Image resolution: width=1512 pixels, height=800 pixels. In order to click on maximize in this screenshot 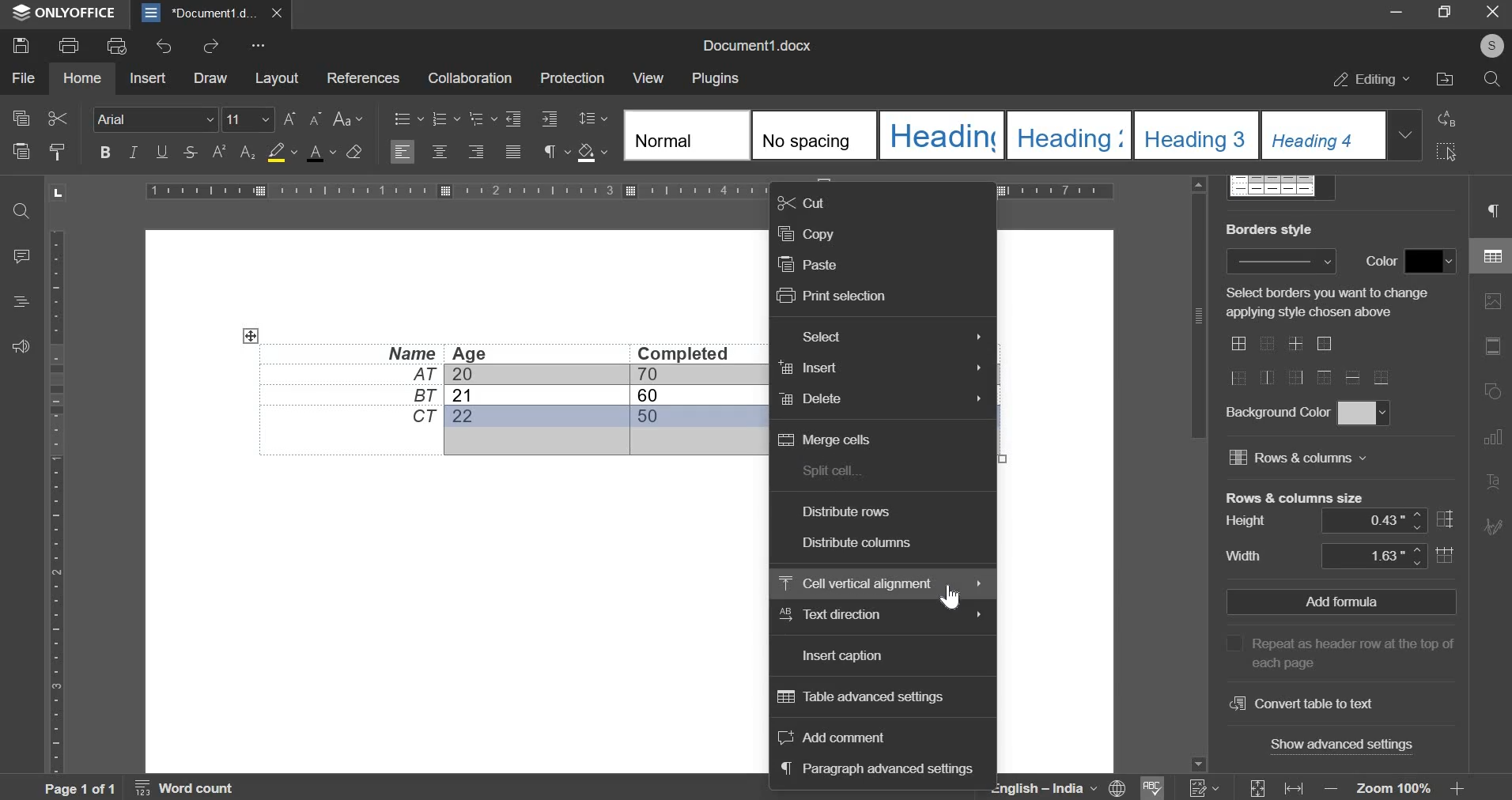, I will do `click(1443, 11)`.